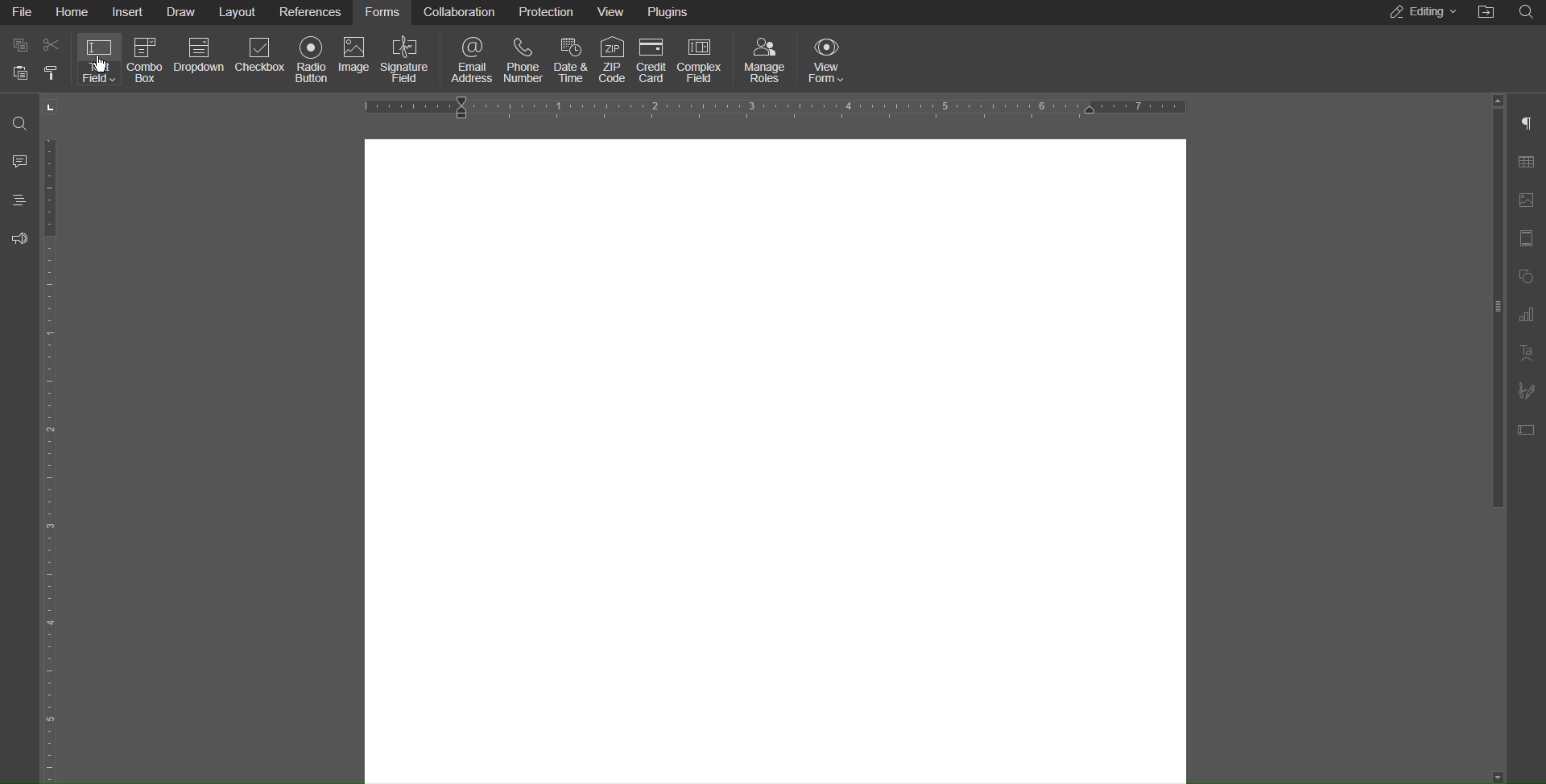  What do you see at coordinates (200, 55) in the screenshot?
I see `Dropdown` at bounding box center [200, 55].